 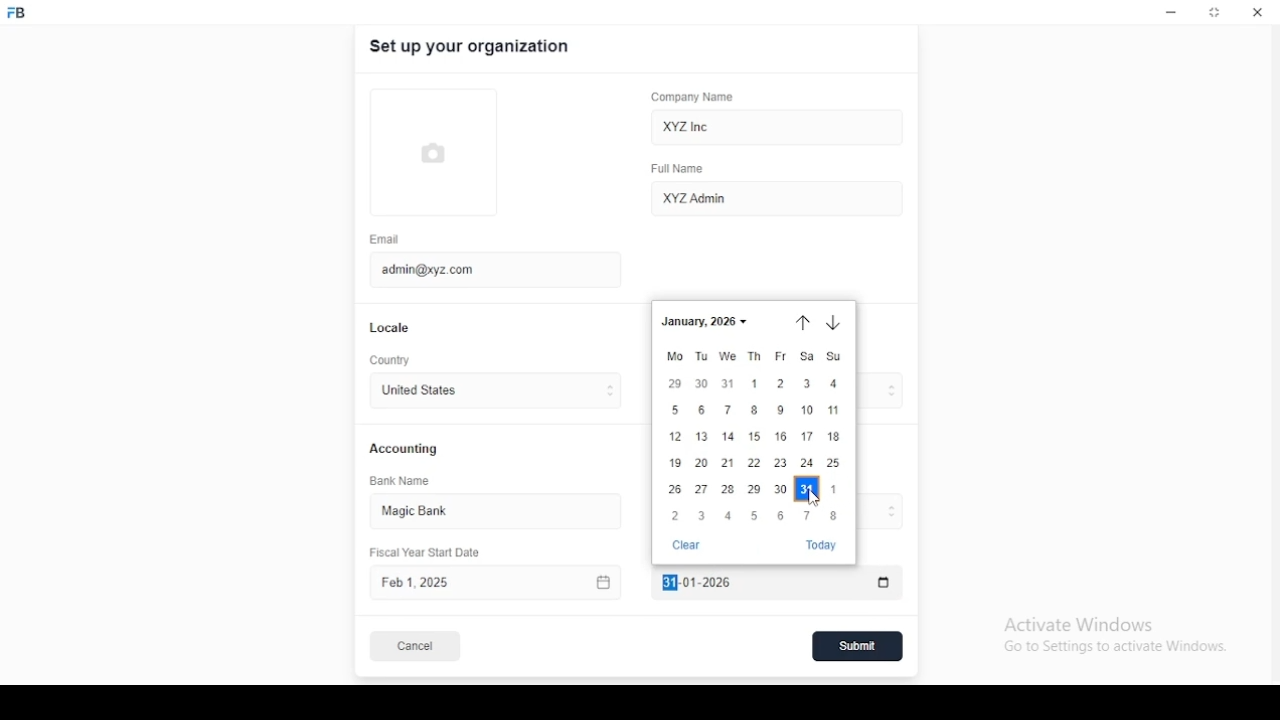 What do you see at coordinates (418, 392) in the screenshot?
I see `united states` at bounding box center [418, 392].